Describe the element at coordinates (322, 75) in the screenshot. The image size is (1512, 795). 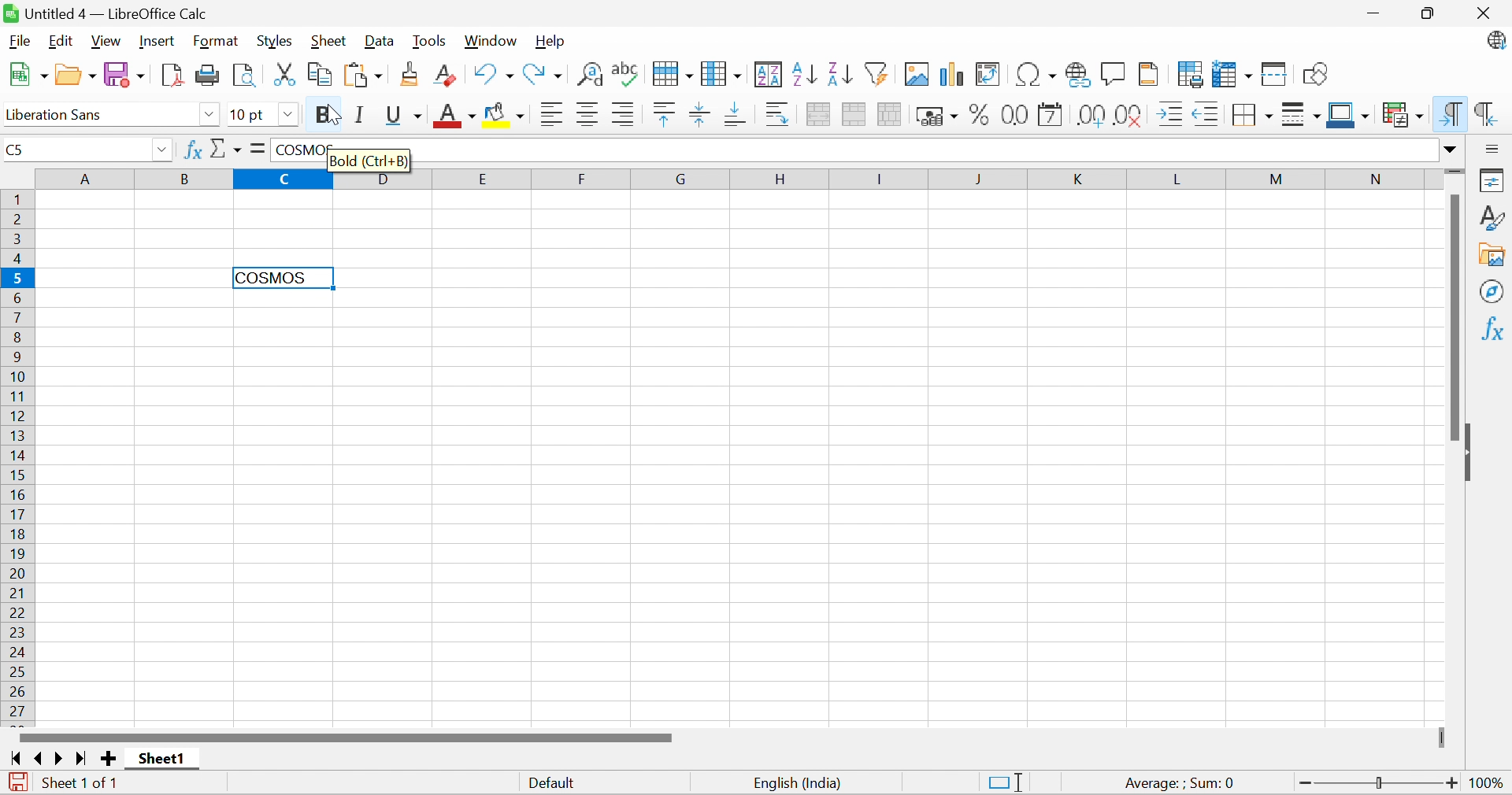
I see `Copy` at that location.